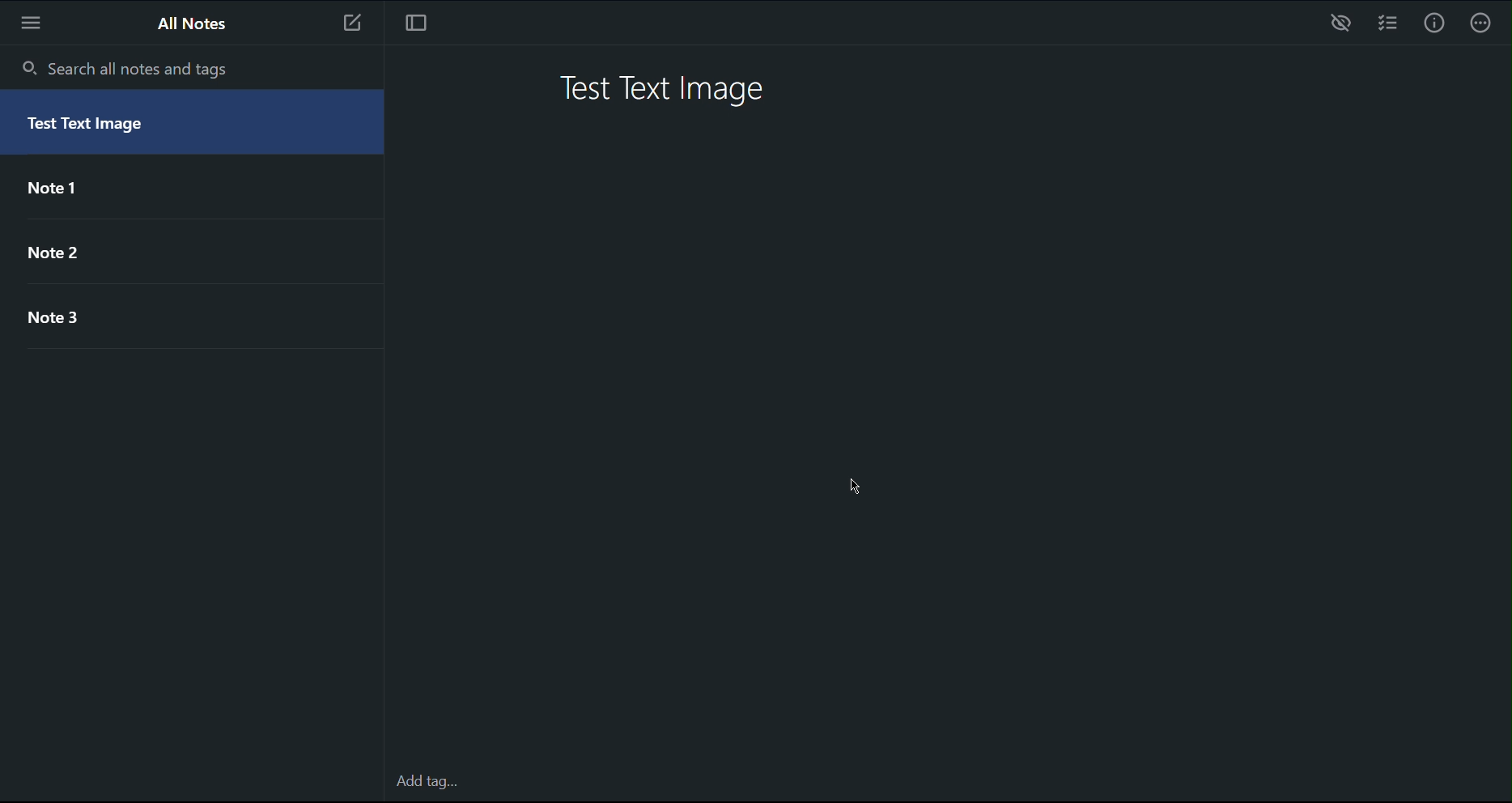  I want to click on Note 1, so click(57, 188).